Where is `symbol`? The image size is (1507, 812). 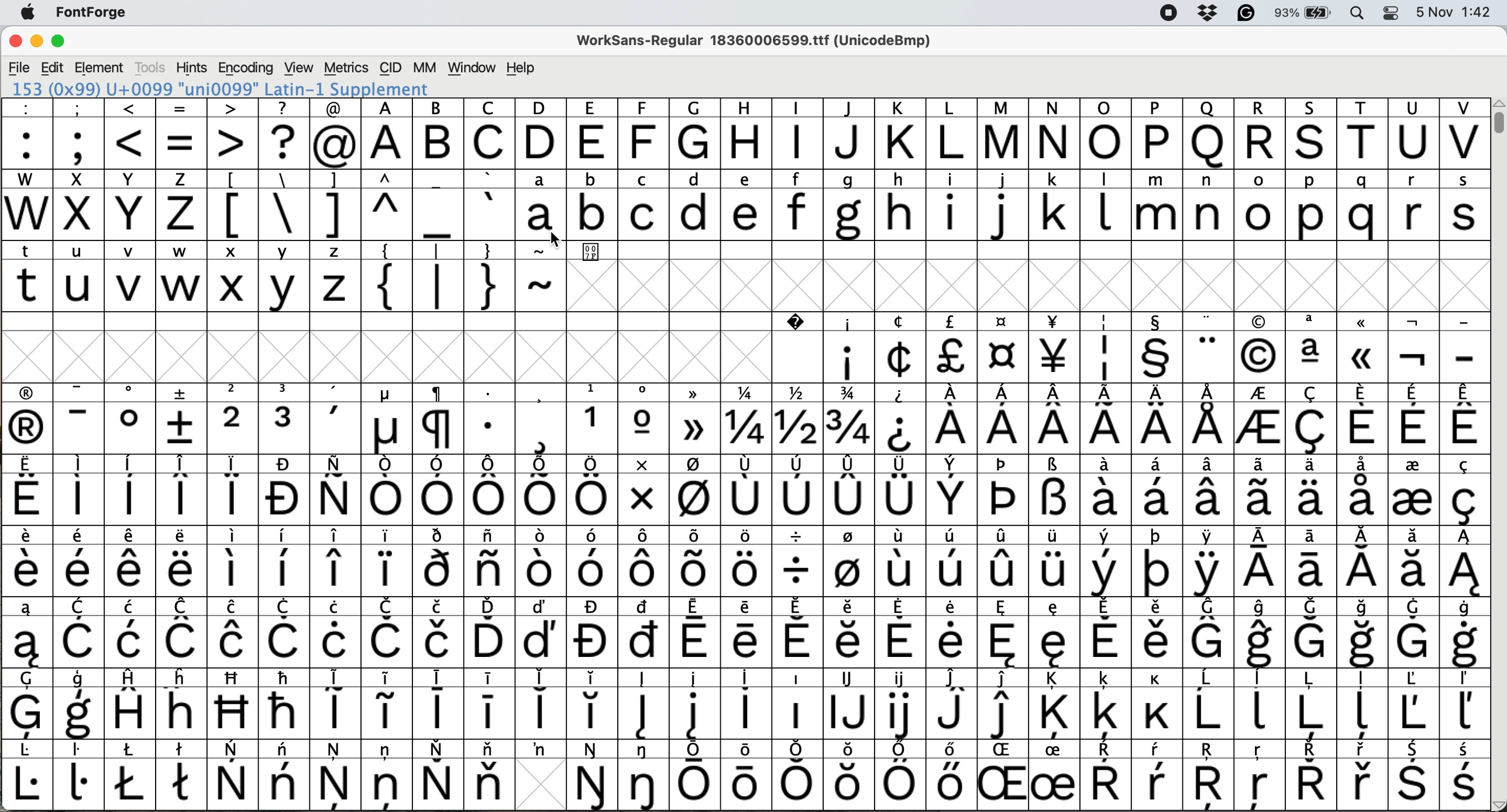 symbol is located at coordinates (1413, 419).